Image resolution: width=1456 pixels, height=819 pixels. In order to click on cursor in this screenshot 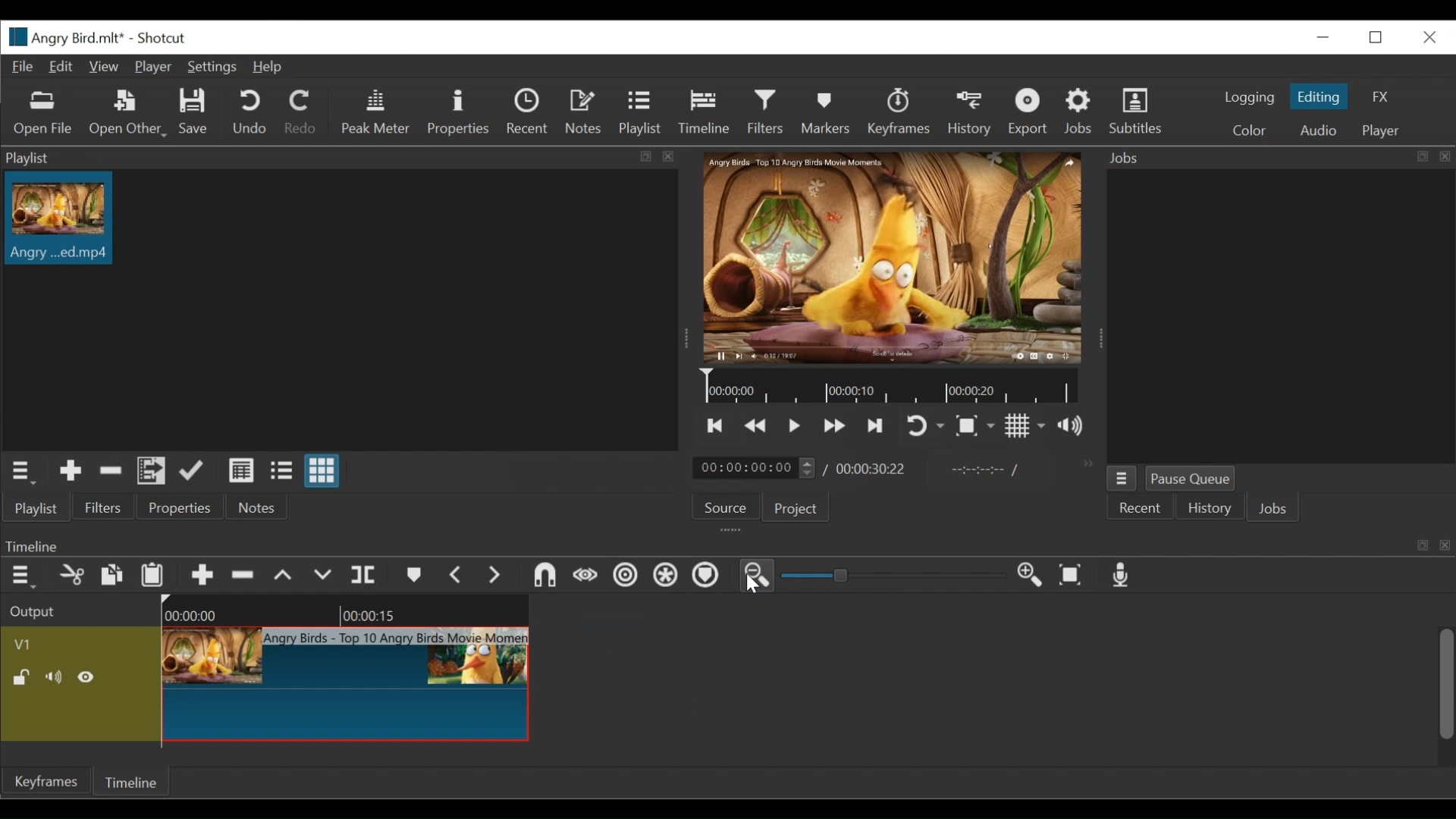, I will do `click(748, 581)`.